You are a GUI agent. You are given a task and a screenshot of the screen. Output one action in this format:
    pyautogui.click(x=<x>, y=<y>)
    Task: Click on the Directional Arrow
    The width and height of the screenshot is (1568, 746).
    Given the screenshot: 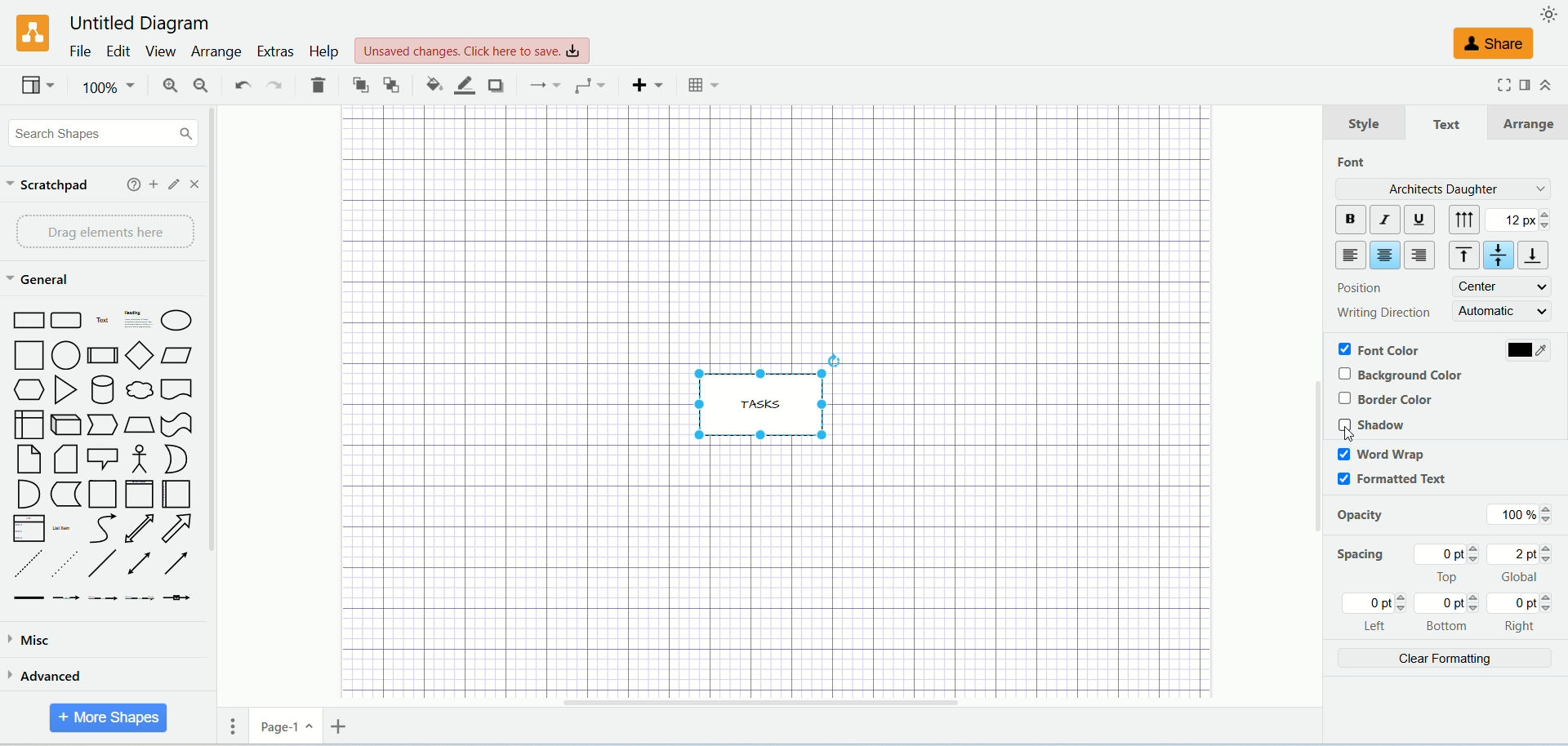 What is the action you would take?
    pyautogui.click(x=180, y=562)
    